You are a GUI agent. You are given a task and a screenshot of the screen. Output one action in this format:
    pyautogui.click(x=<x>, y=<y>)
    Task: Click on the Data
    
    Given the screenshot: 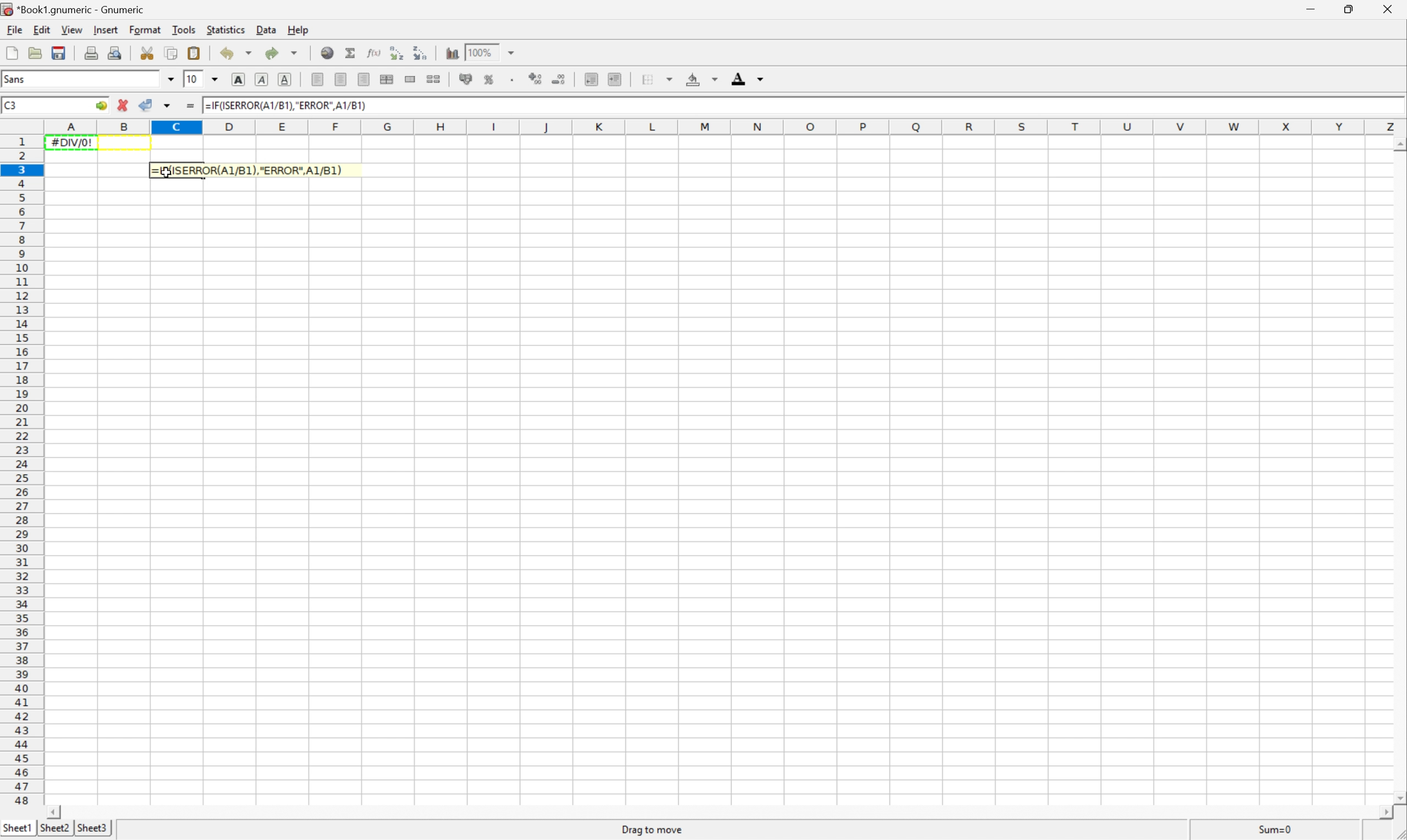 What is the action you would take?
    pyautogui.click(x=267, y=30)
    